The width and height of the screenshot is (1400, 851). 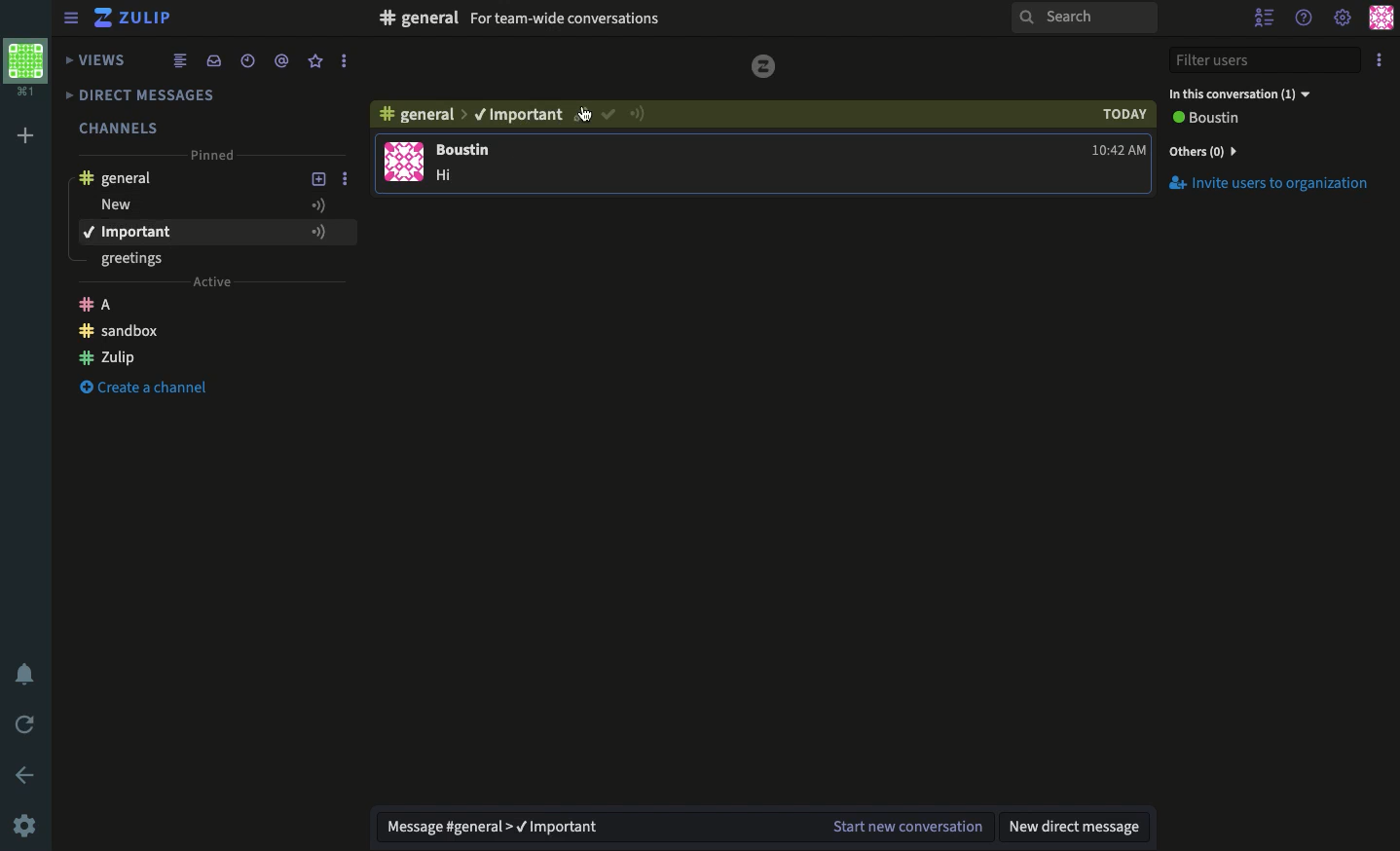 I want to click on More Options, so click(x=352, y=180).